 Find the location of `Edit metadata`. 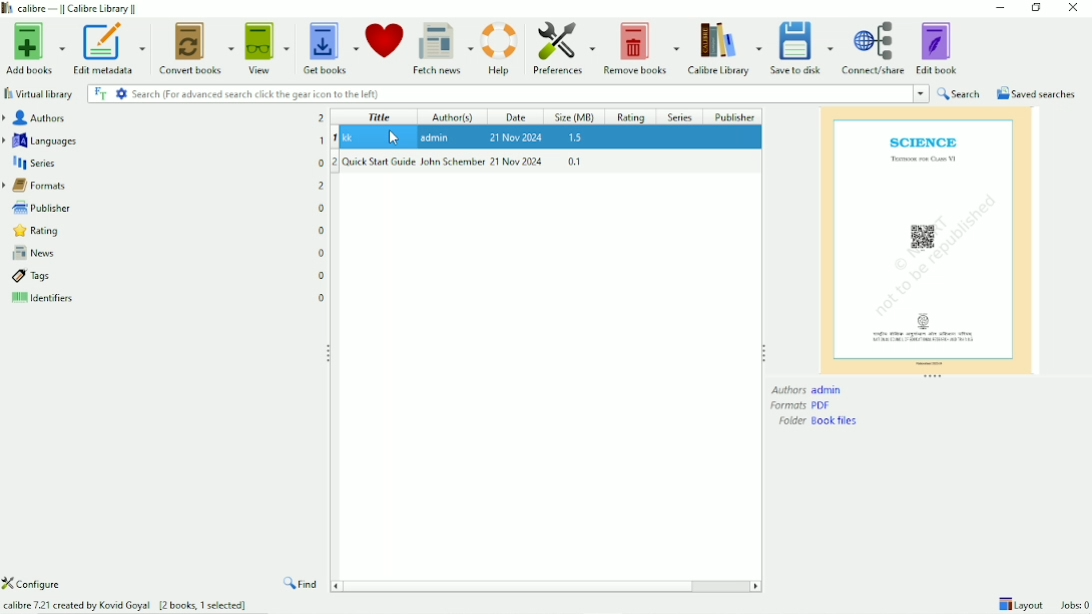

Edit metadata is located at coordinates (111, 48).